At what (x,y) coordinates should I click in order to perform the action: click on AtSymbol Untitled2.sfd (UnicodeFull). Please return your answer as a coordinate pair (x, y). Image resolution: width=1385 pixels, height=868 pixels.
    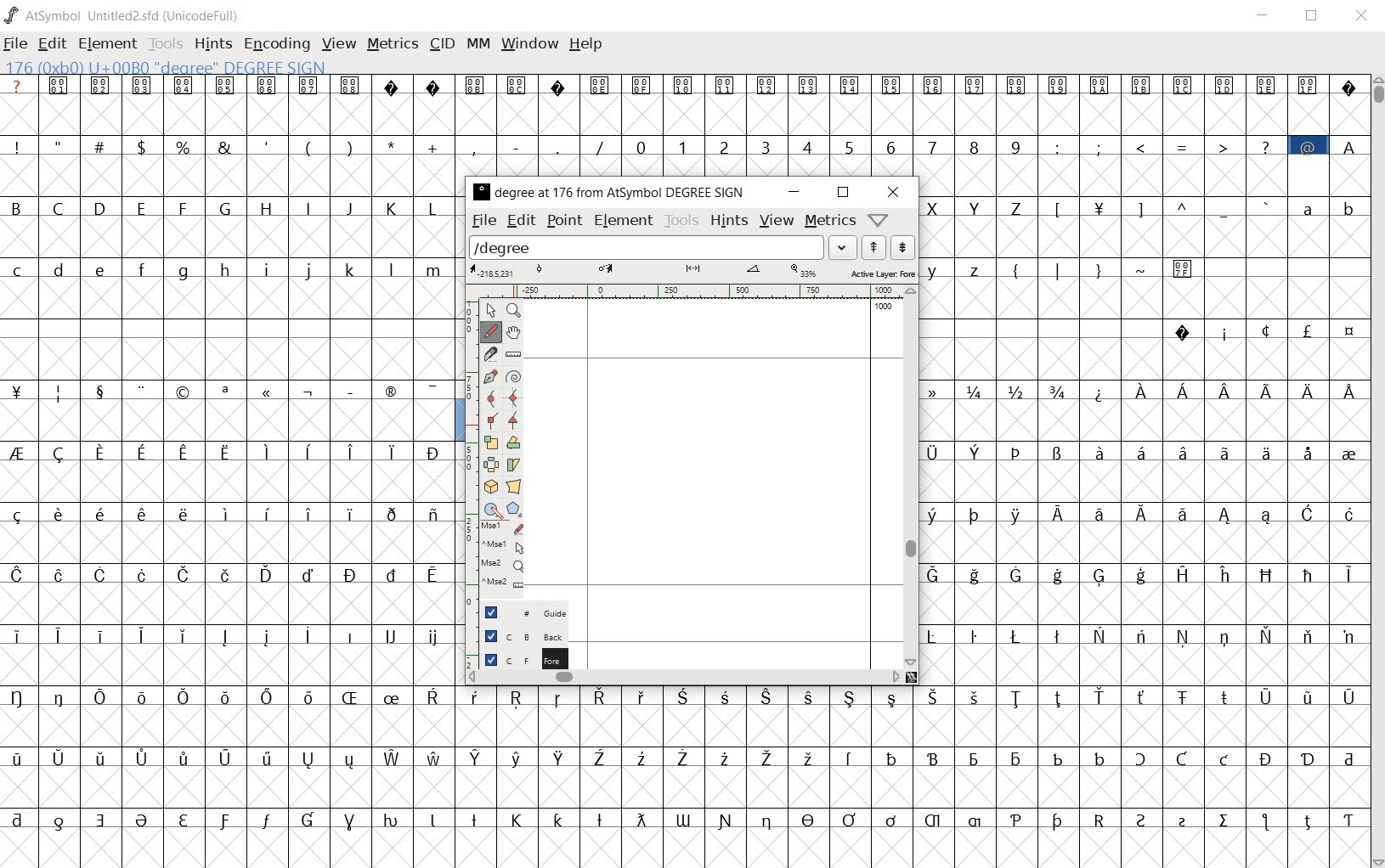
    Looking at the image, I should click on (126, 15).